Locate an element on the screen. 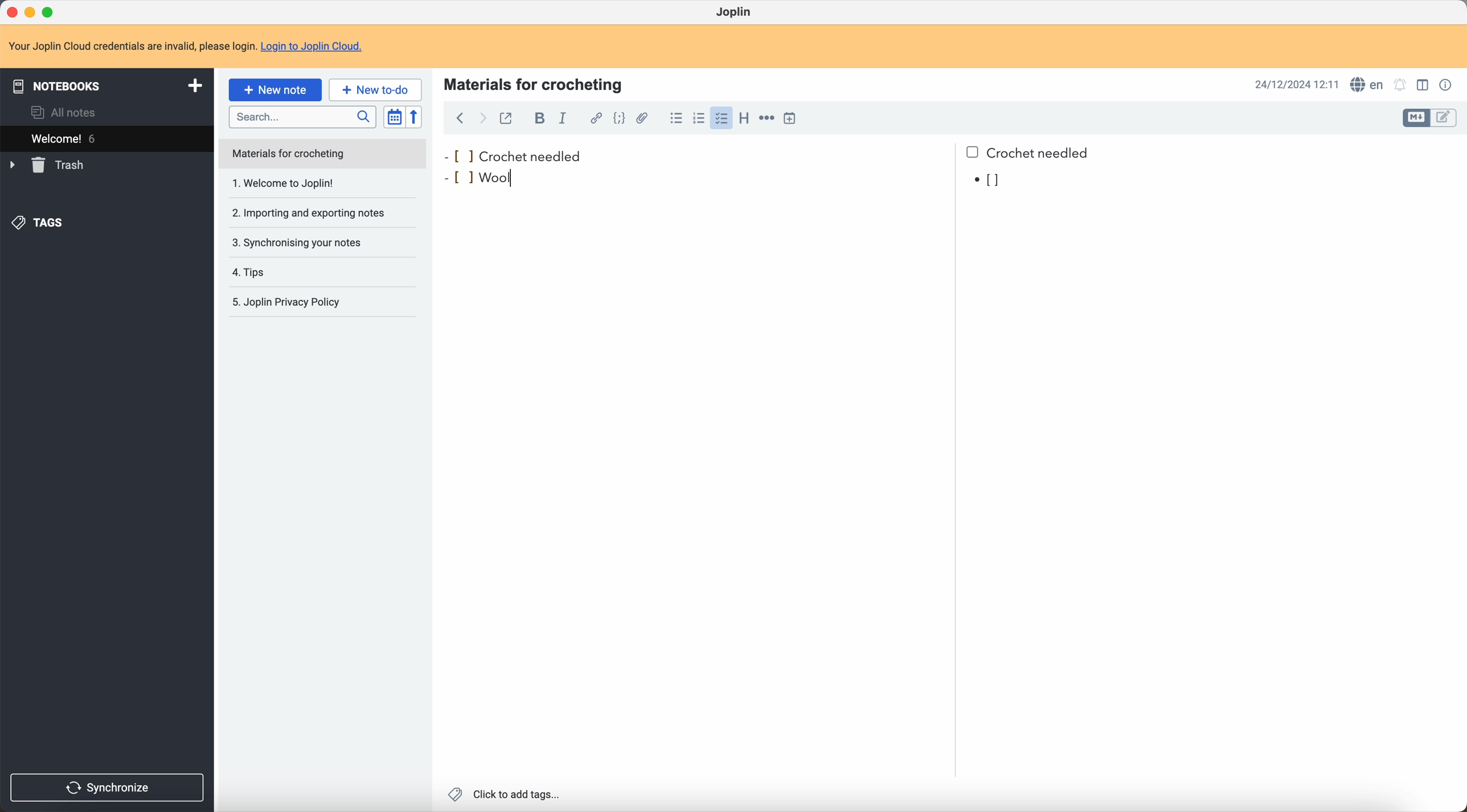 Image resolution: width=1467 pixels, height=812 pixels. toggle edit layout is located at coordinates (1416, 118).